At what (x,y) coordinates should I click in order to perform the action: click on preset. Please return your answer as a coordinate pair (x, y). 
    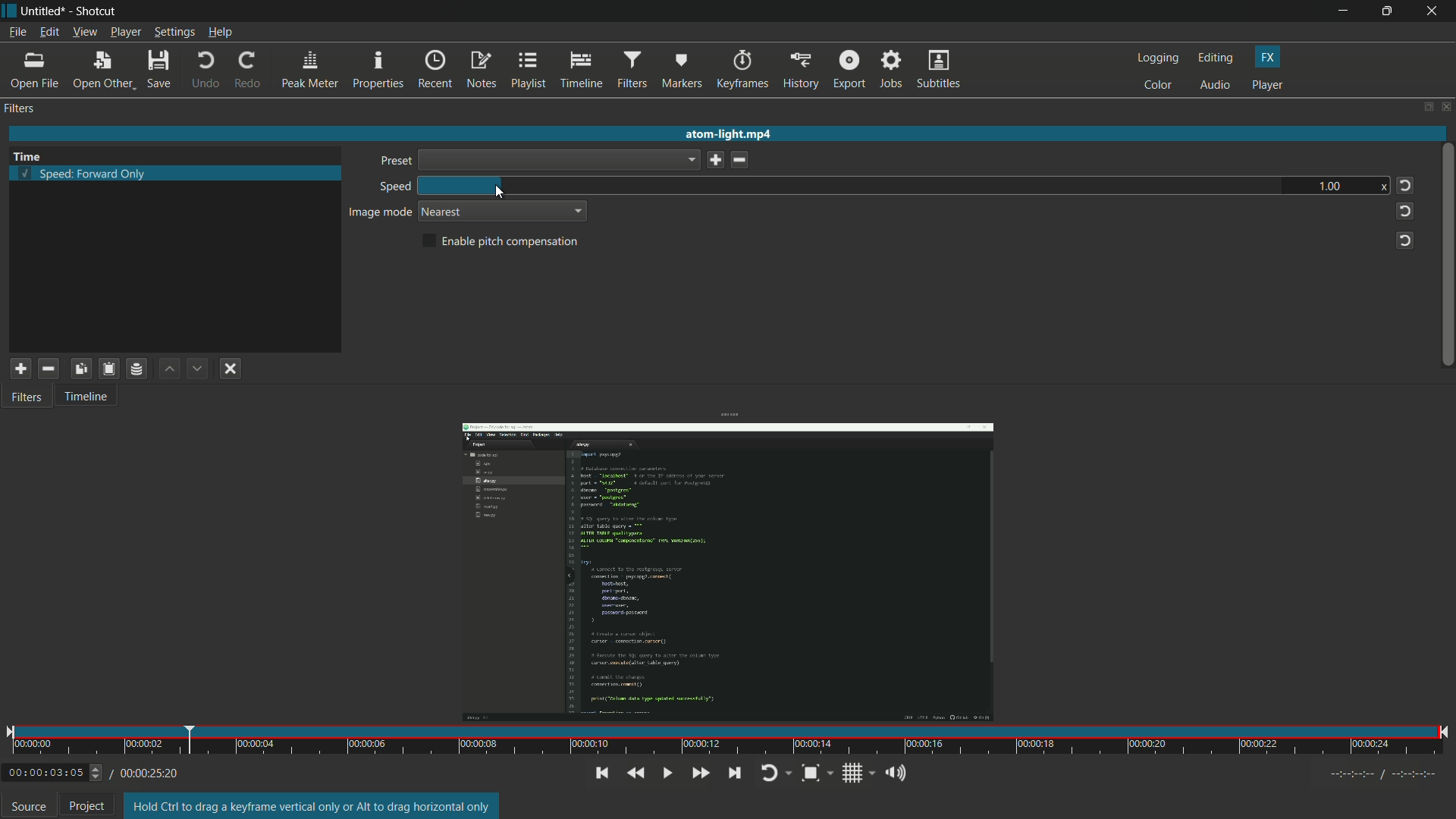
    Looking at the image, I should click on (393, 162).